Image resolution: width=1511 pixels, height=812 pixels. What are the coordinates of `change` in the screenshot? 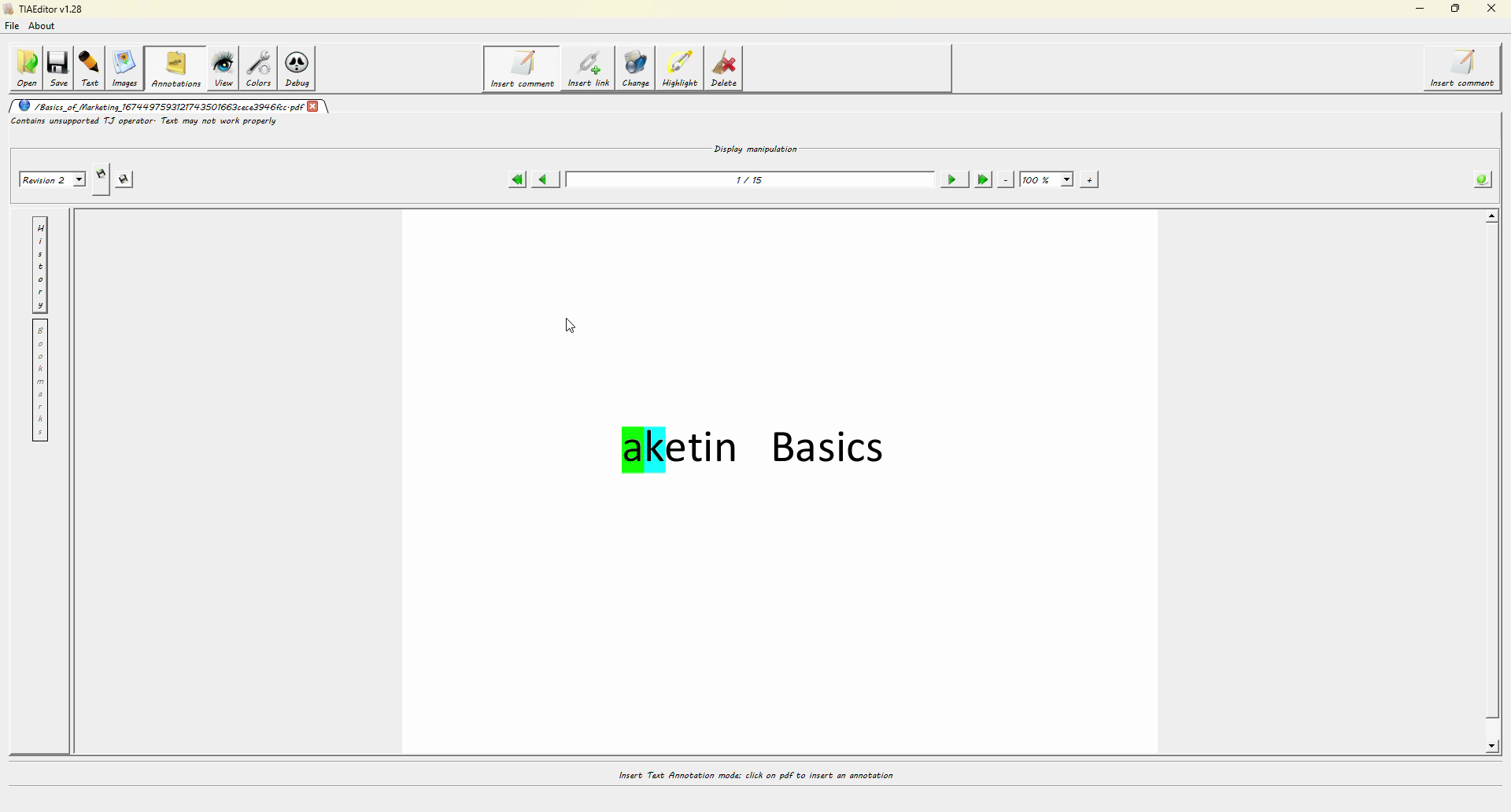 It's located at (639, 72).